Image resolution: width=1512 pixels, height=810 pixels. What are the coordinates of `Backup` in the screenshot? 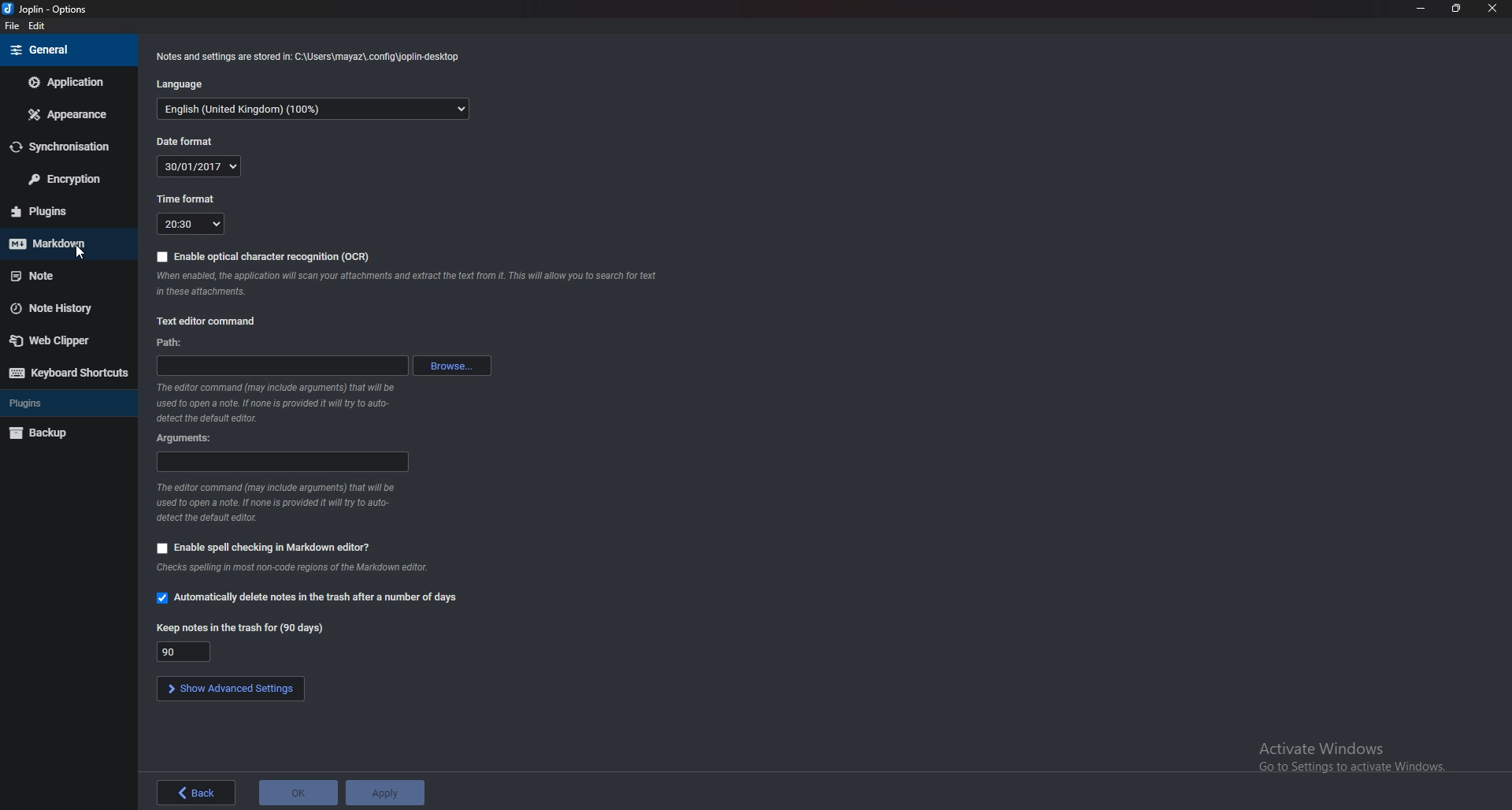 It's located at (57, 434).